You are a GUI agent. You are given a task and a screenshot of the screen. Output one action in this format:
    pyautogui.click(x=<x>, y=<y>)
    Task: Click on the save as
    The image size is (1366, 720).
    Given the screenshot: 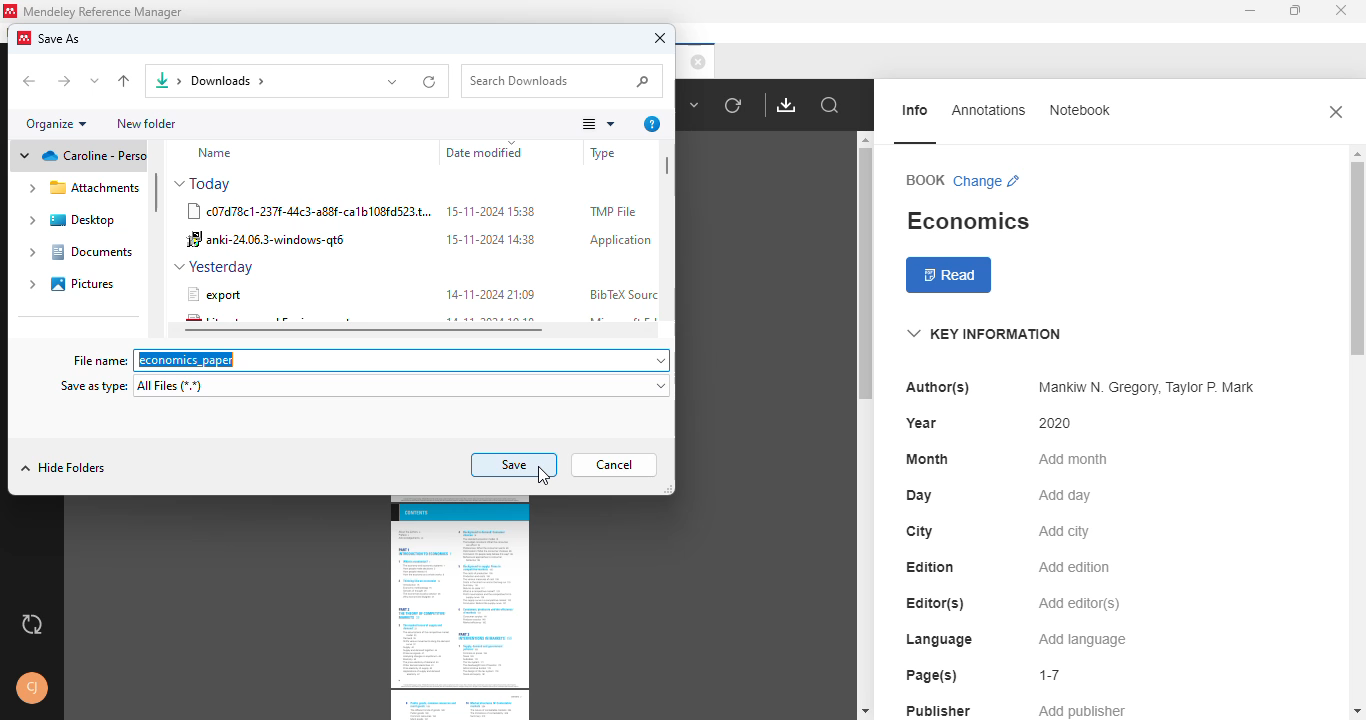 What is the action you would take?
    pyautogui.click(x=60, y=39)
    